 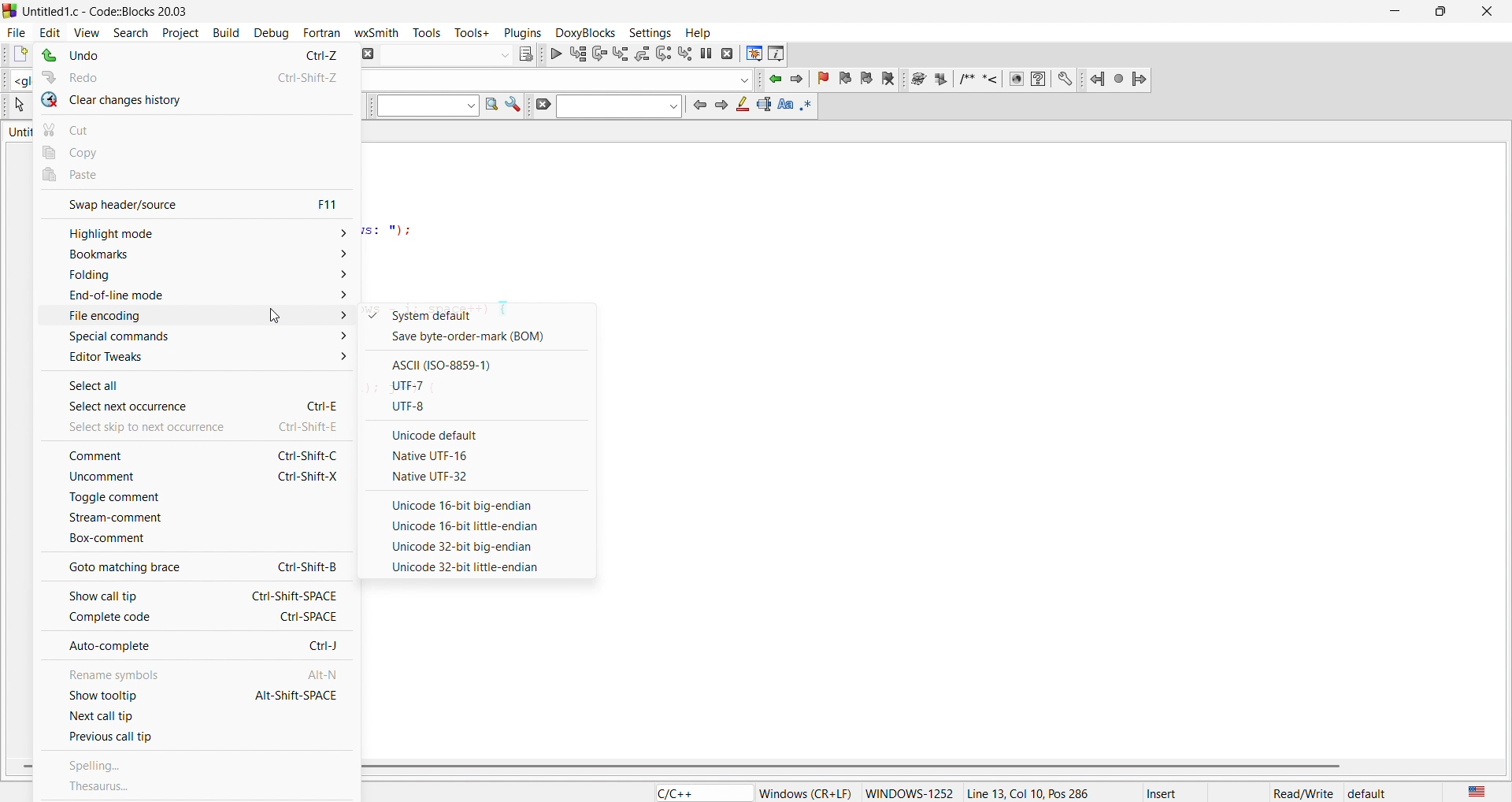 What do you see at coordinates (642, 54) in the screenshot?
I see `step out` at bounding box center [642, 54].